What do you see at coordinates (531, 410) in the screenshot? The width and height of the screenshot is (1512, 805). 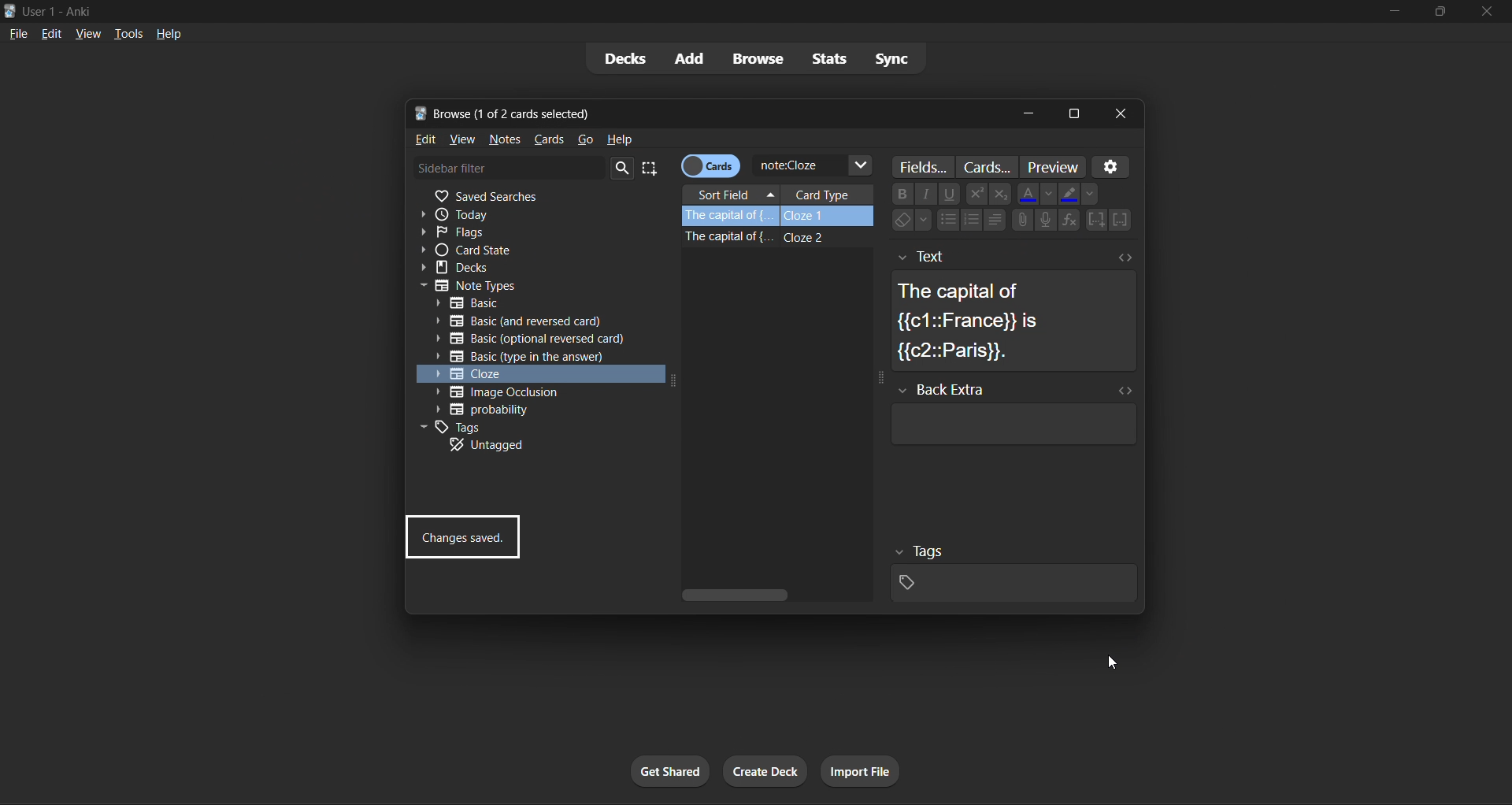 I see `probability filter` at bounding box center [531, 410].